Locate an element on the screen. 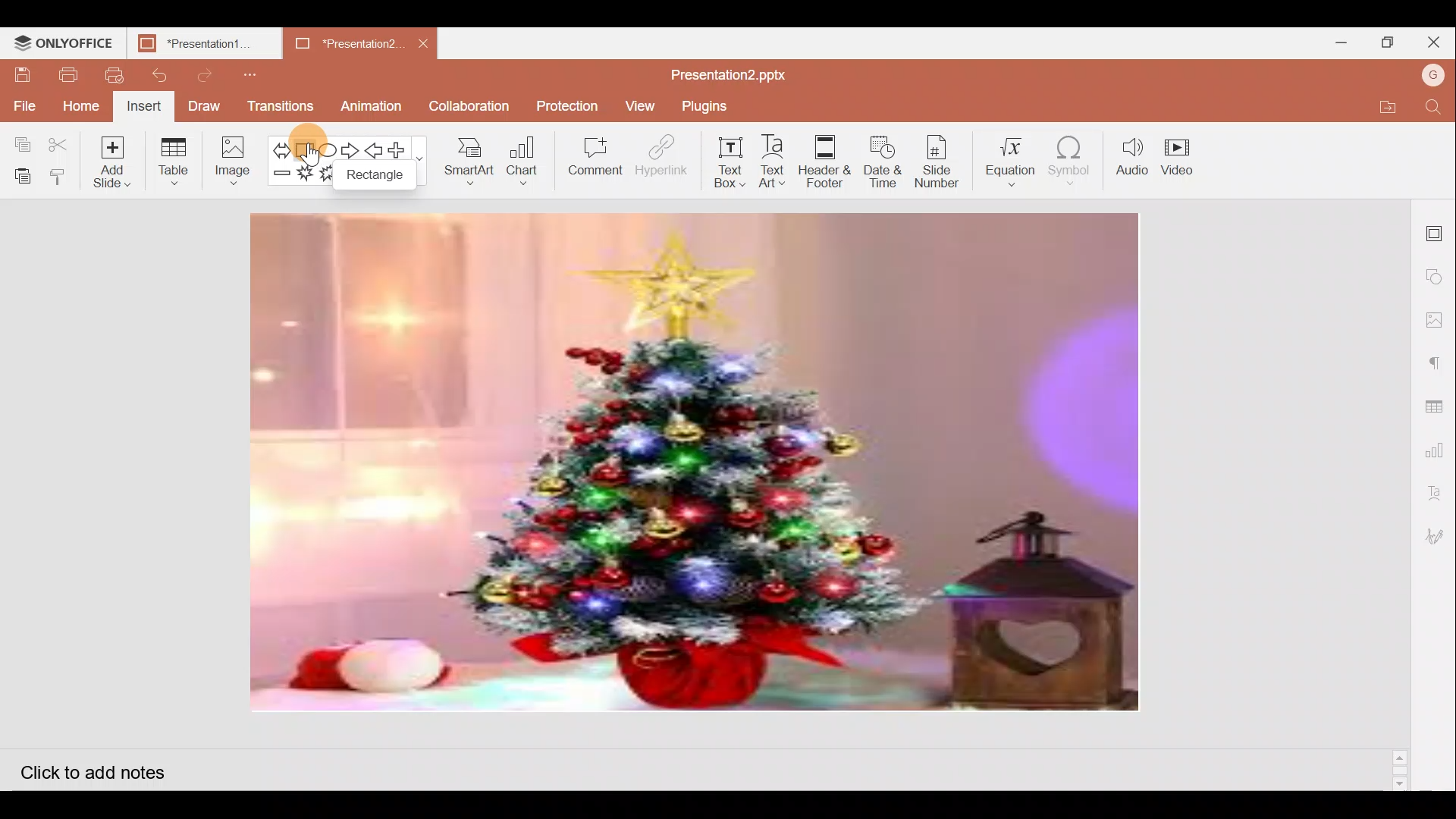  Cursor on rectangle shape is located at coordinates (308, 137).